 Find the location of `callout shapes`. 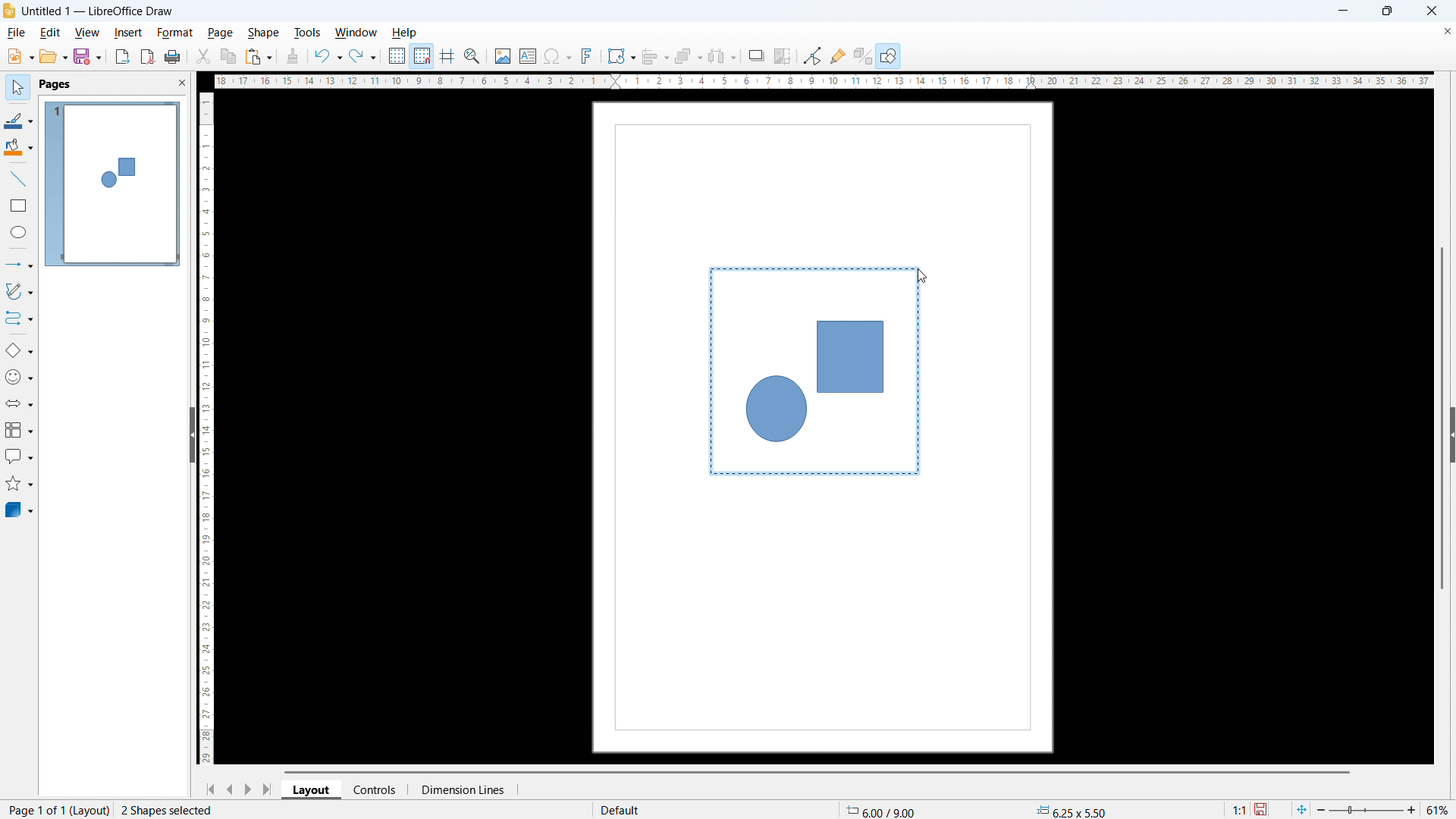

callout shapes is located at coordinates (18, 457).